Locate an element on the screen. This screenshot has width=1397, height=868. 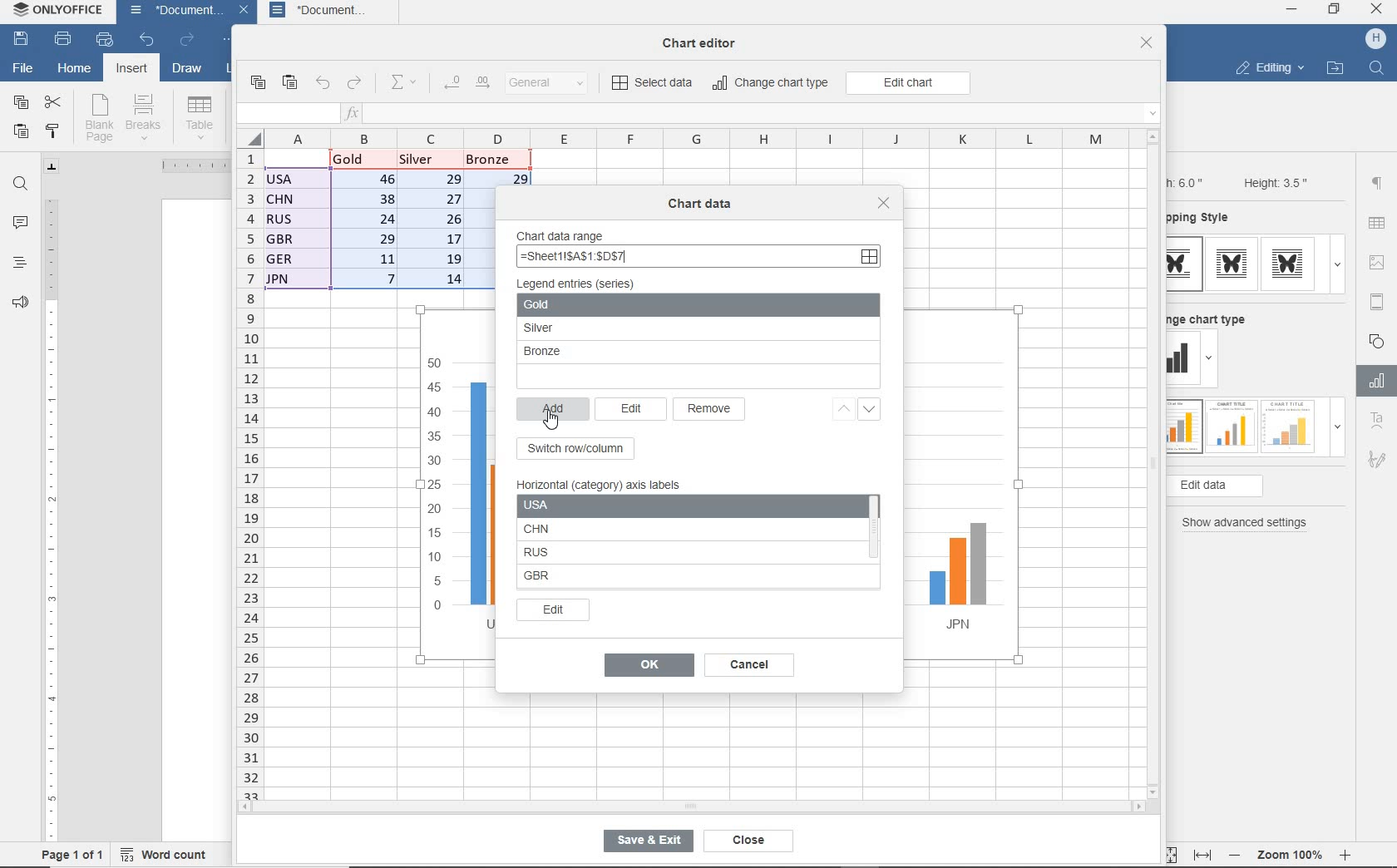
up  is located at coordinates (840, 411).